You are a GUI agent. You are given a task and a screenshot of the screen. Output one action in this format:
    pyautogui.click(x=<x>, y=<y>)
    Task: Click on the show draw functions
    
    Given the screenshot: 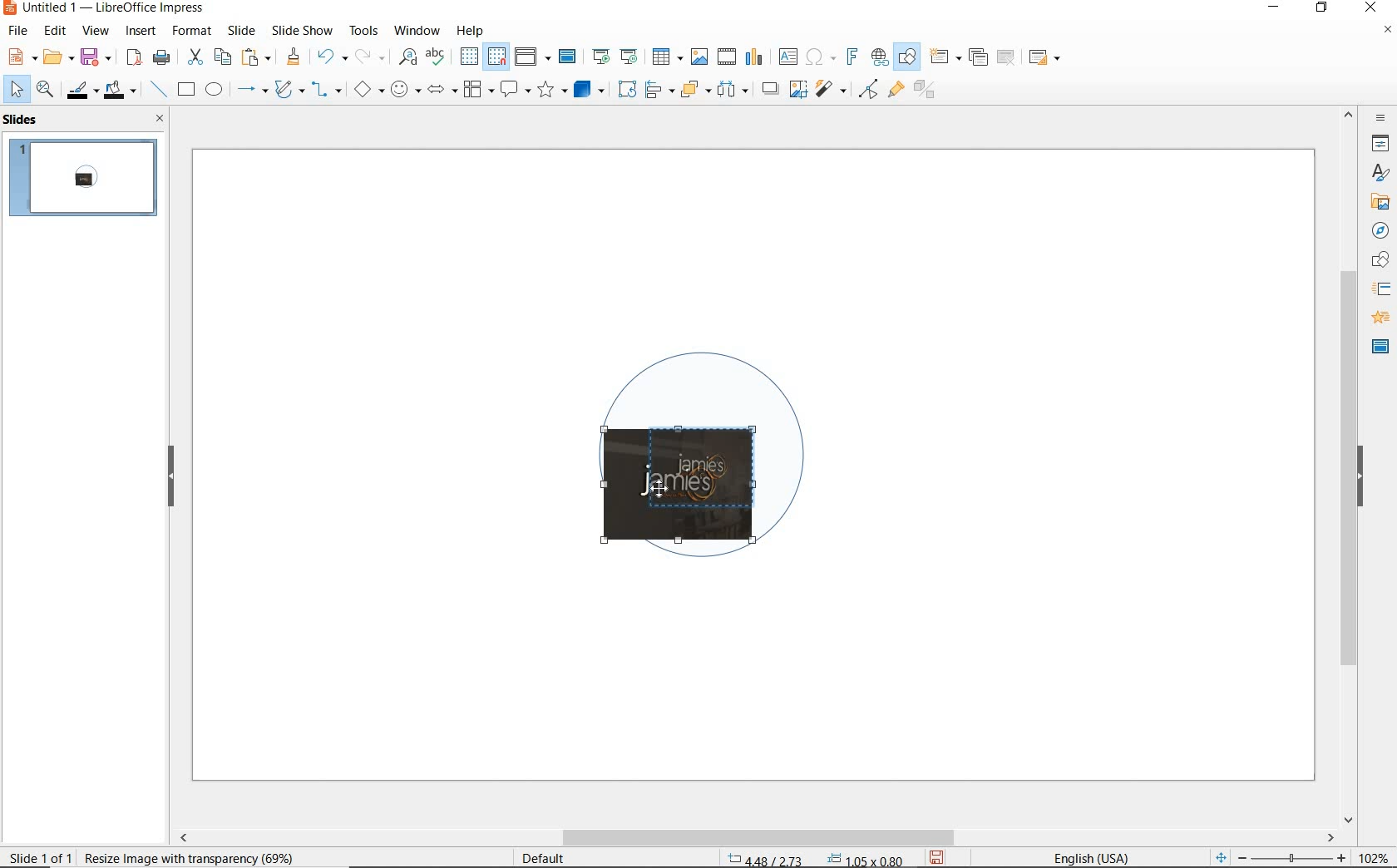 What is the action you would take?
    pyautogui.click(x=907, y=57)
    